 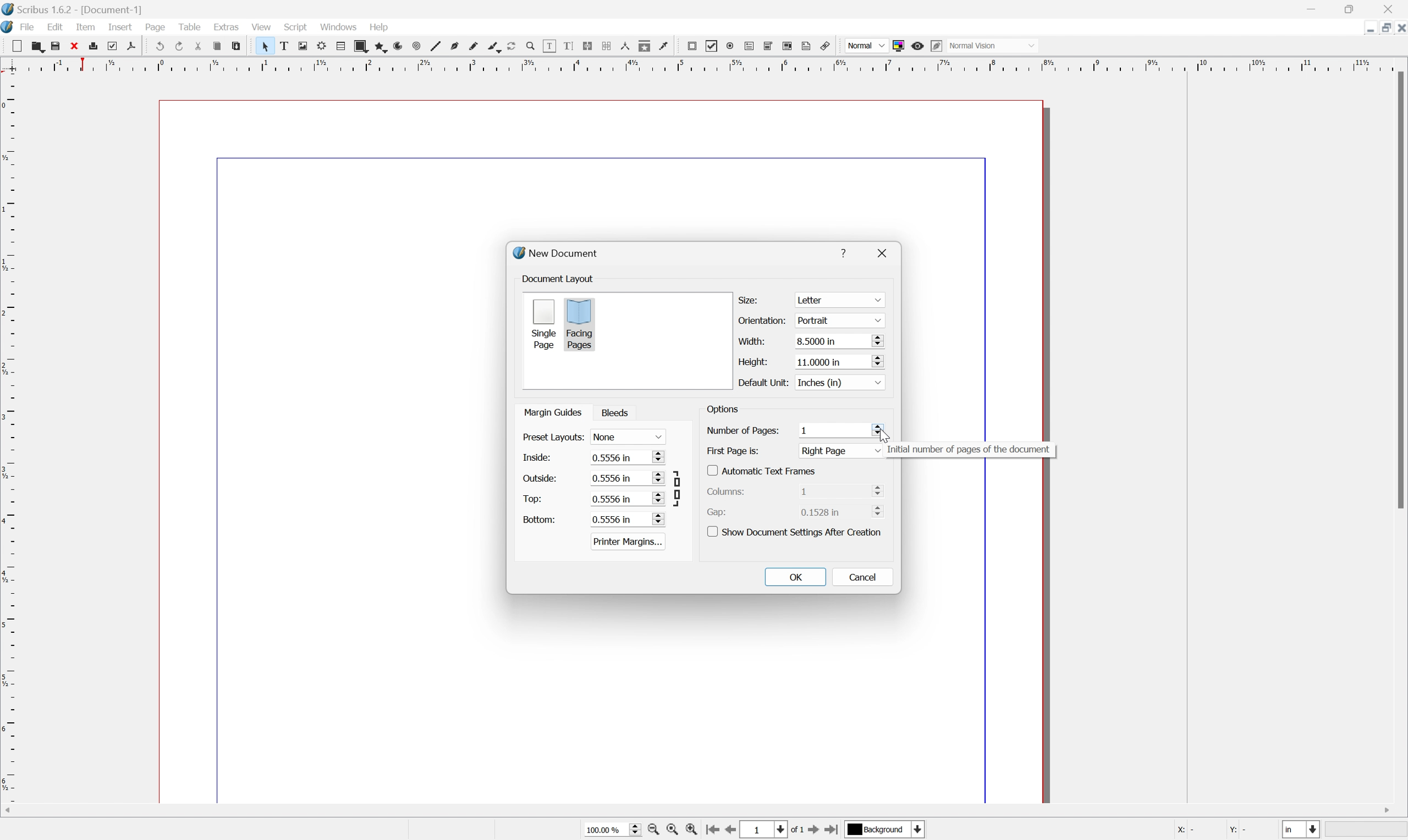 I want to click on Image frame, so click(x=302, y=46).